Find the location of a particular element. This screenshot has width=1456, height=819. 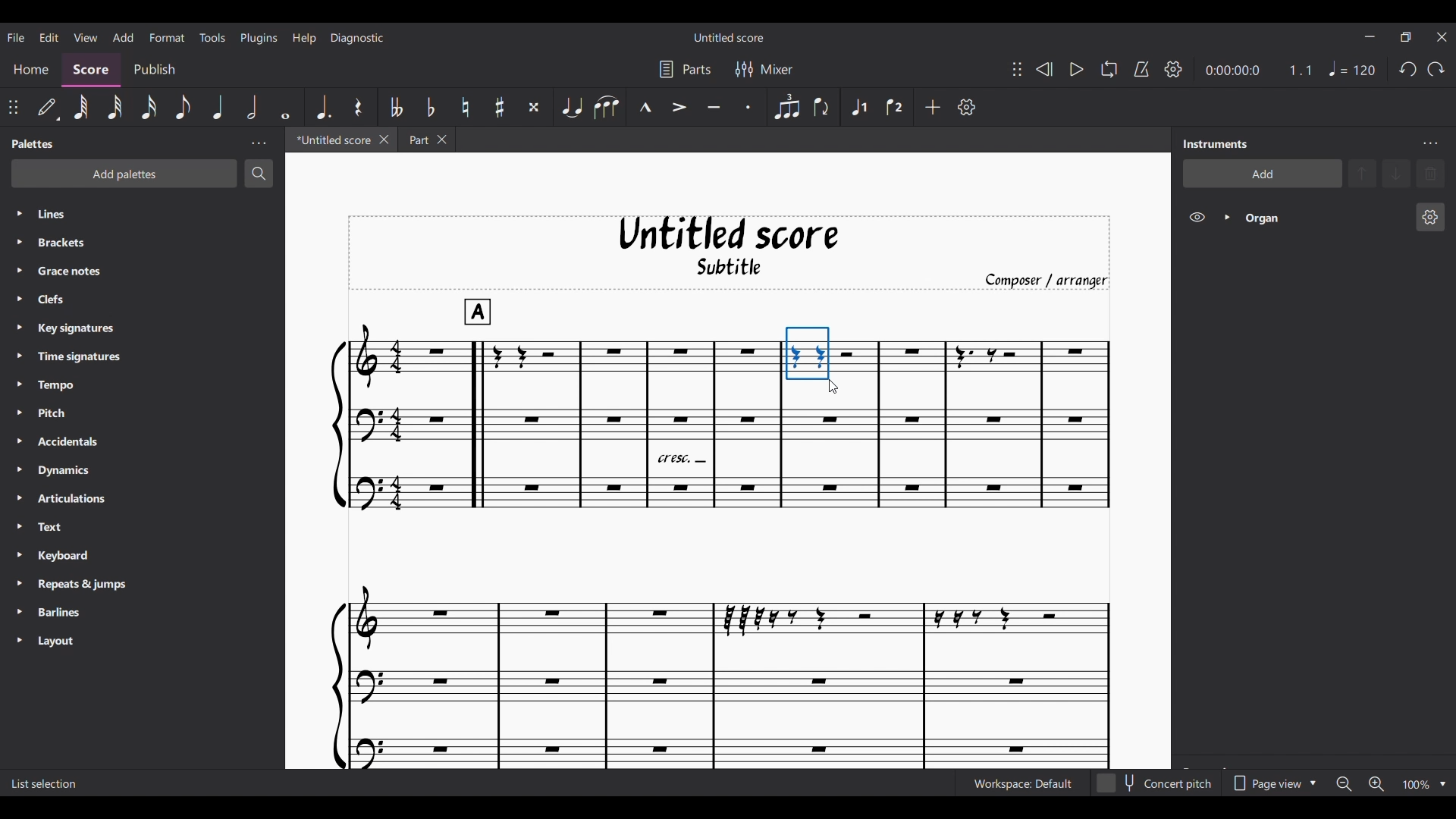

 is located at coordinates (791, 336).